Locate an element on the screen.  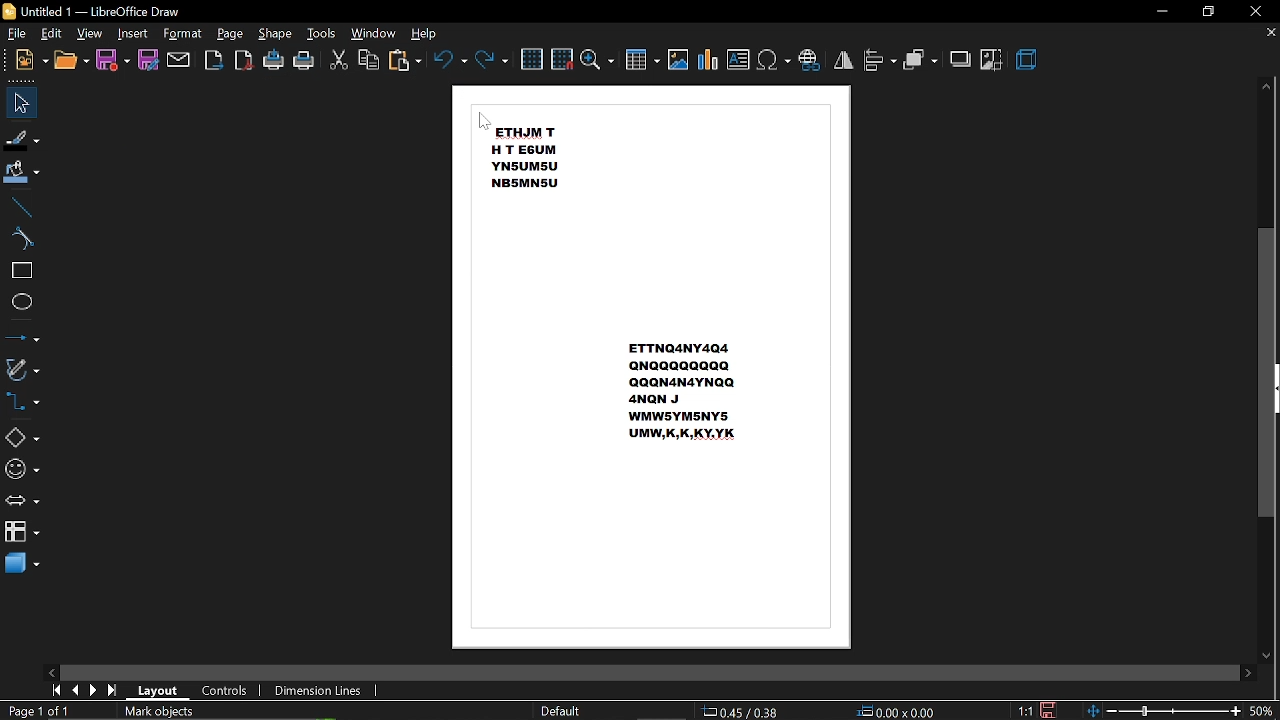
layout is located at coordinates (161, 691).